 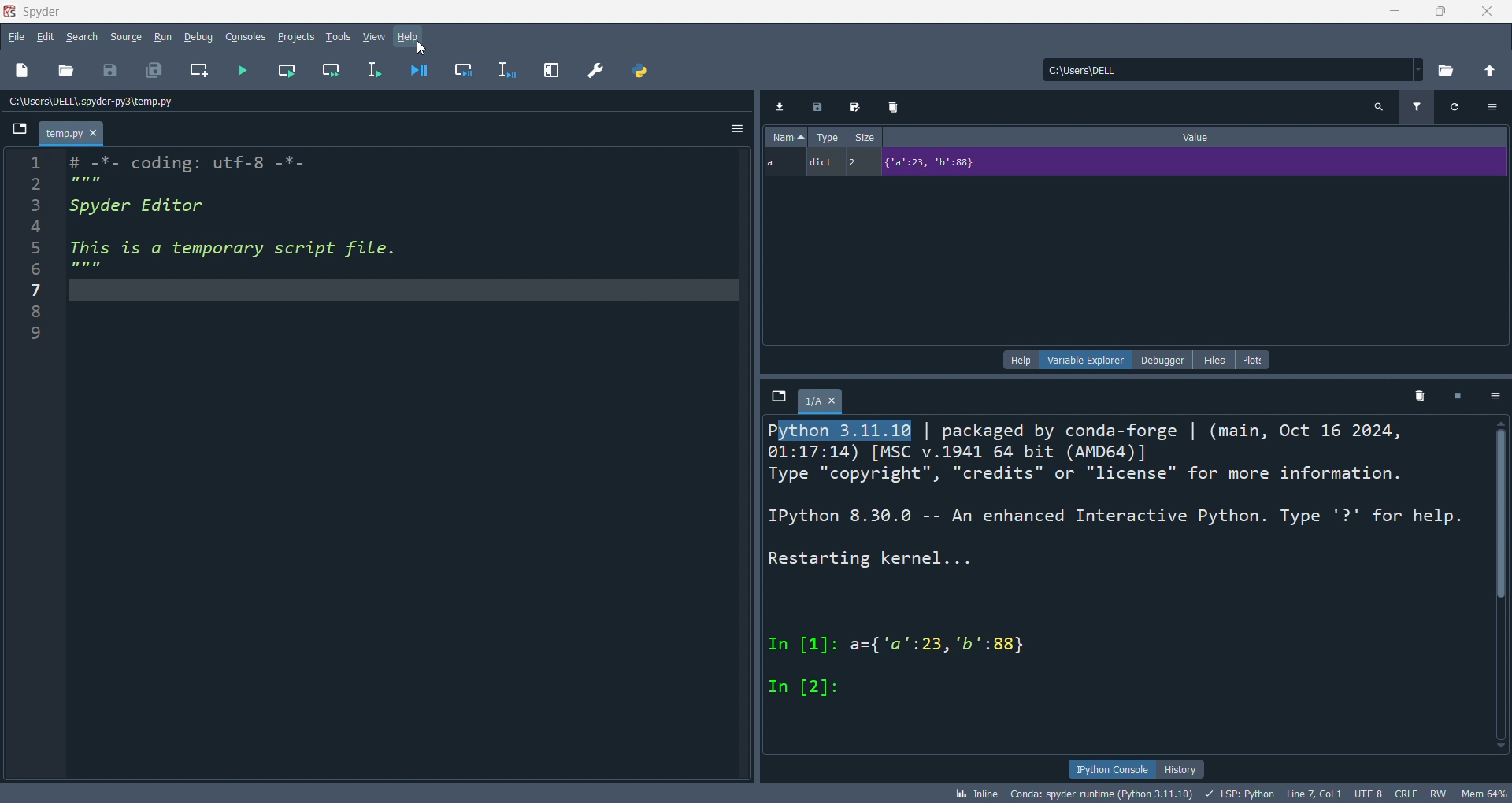 I want to click on Size, so click(x=865, y=136).